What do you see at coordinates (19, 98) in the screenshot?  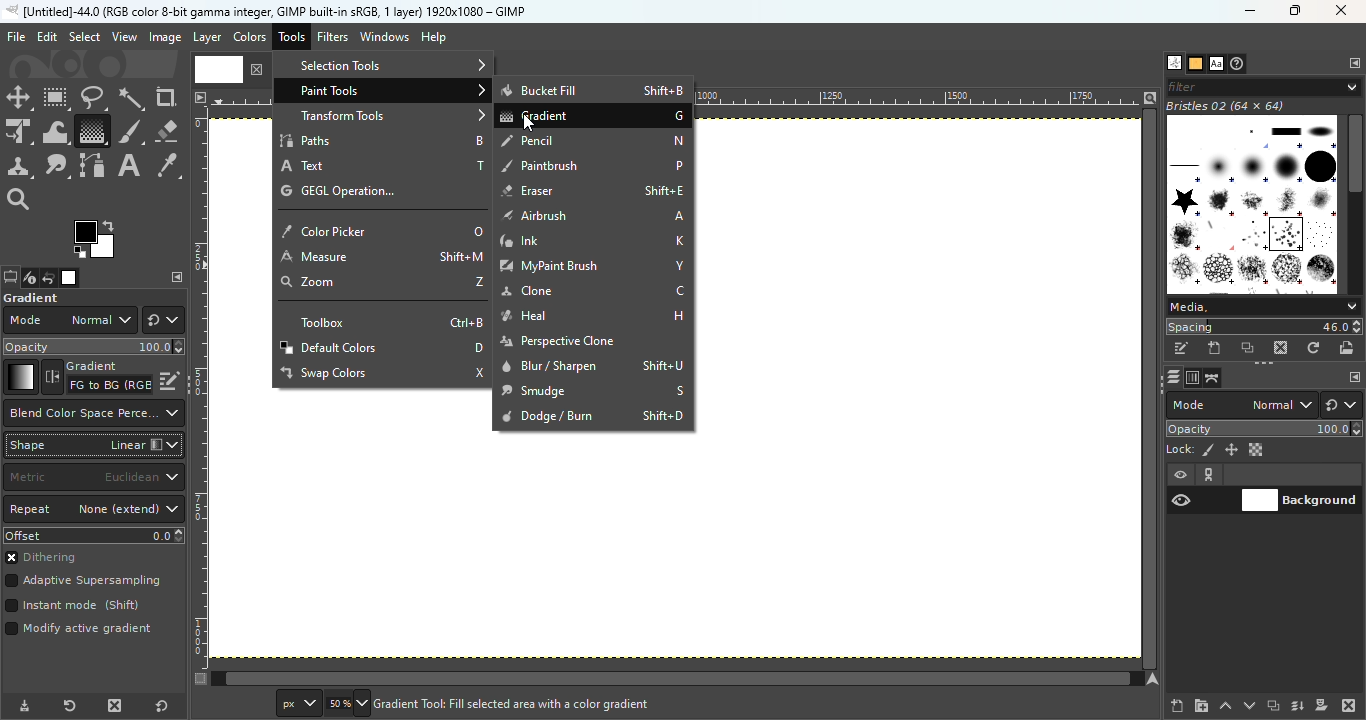 I see `Move tool` at bounding box center [19, 98].